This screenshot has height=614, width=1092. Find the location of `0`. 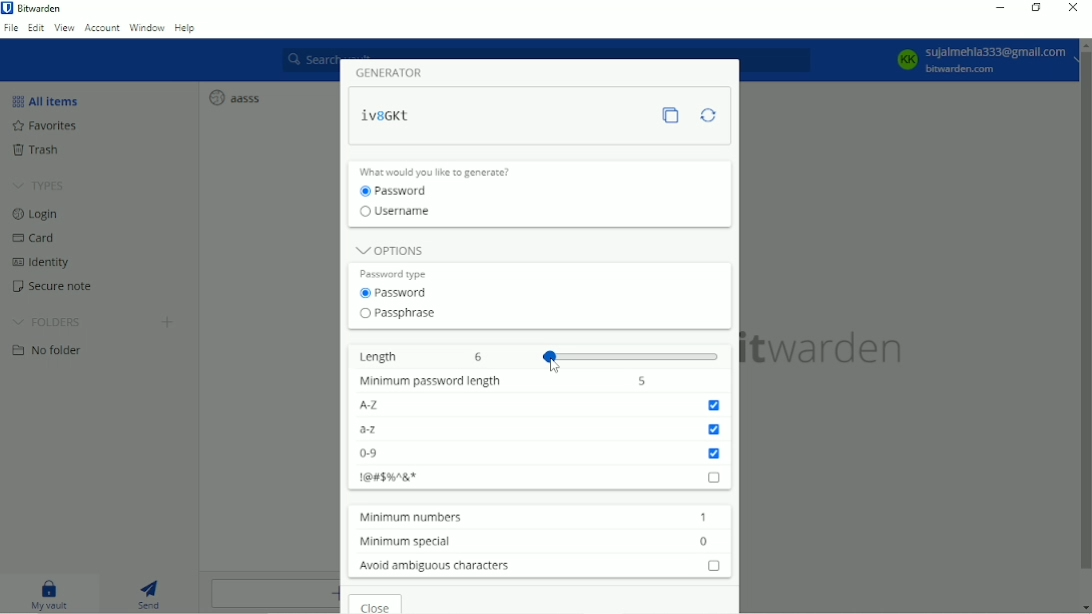

0 is located at coordinates (705, 541).